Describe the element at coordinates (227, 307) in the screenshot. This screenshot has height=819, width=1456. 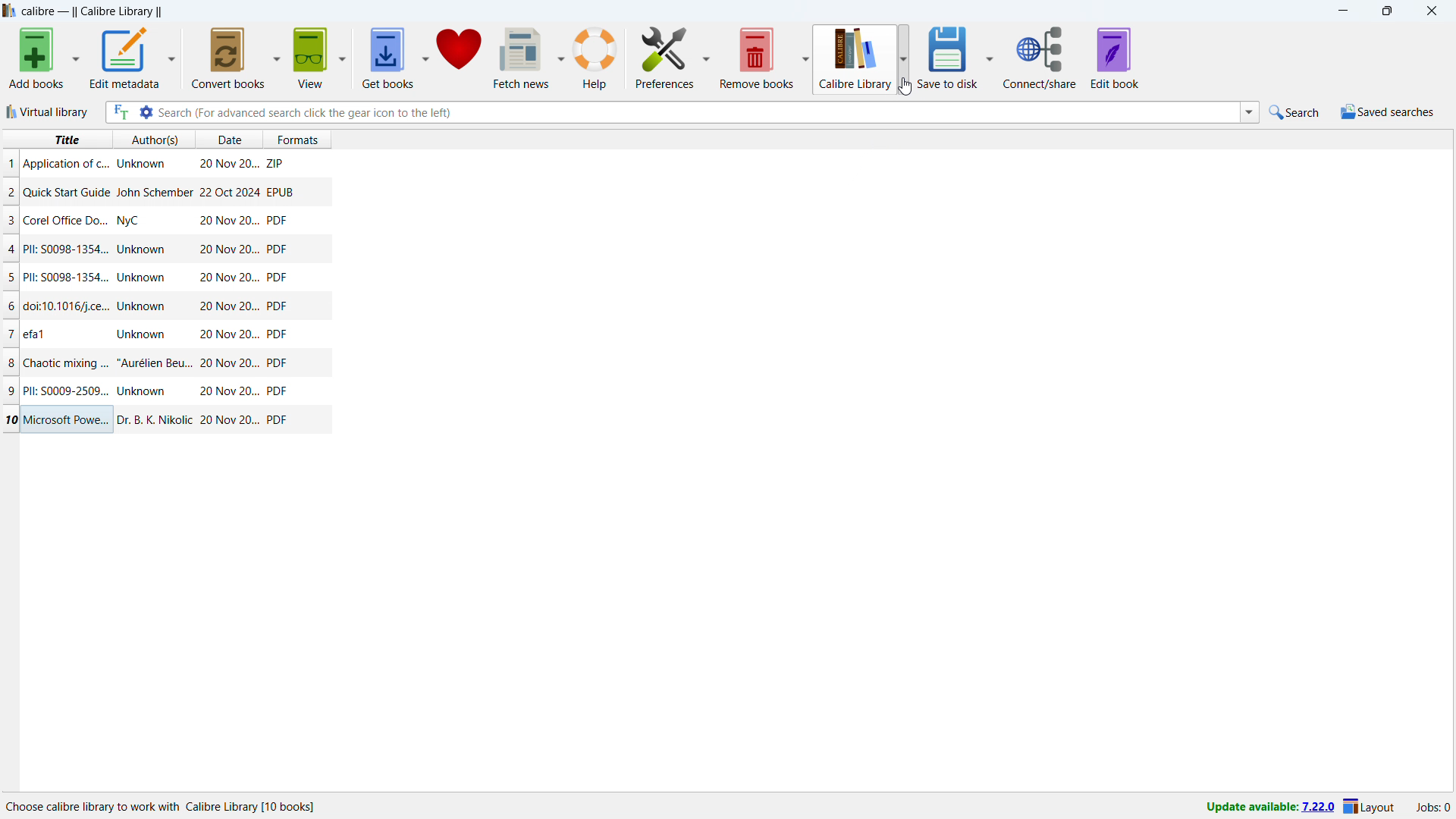
I see `Date` at that location.